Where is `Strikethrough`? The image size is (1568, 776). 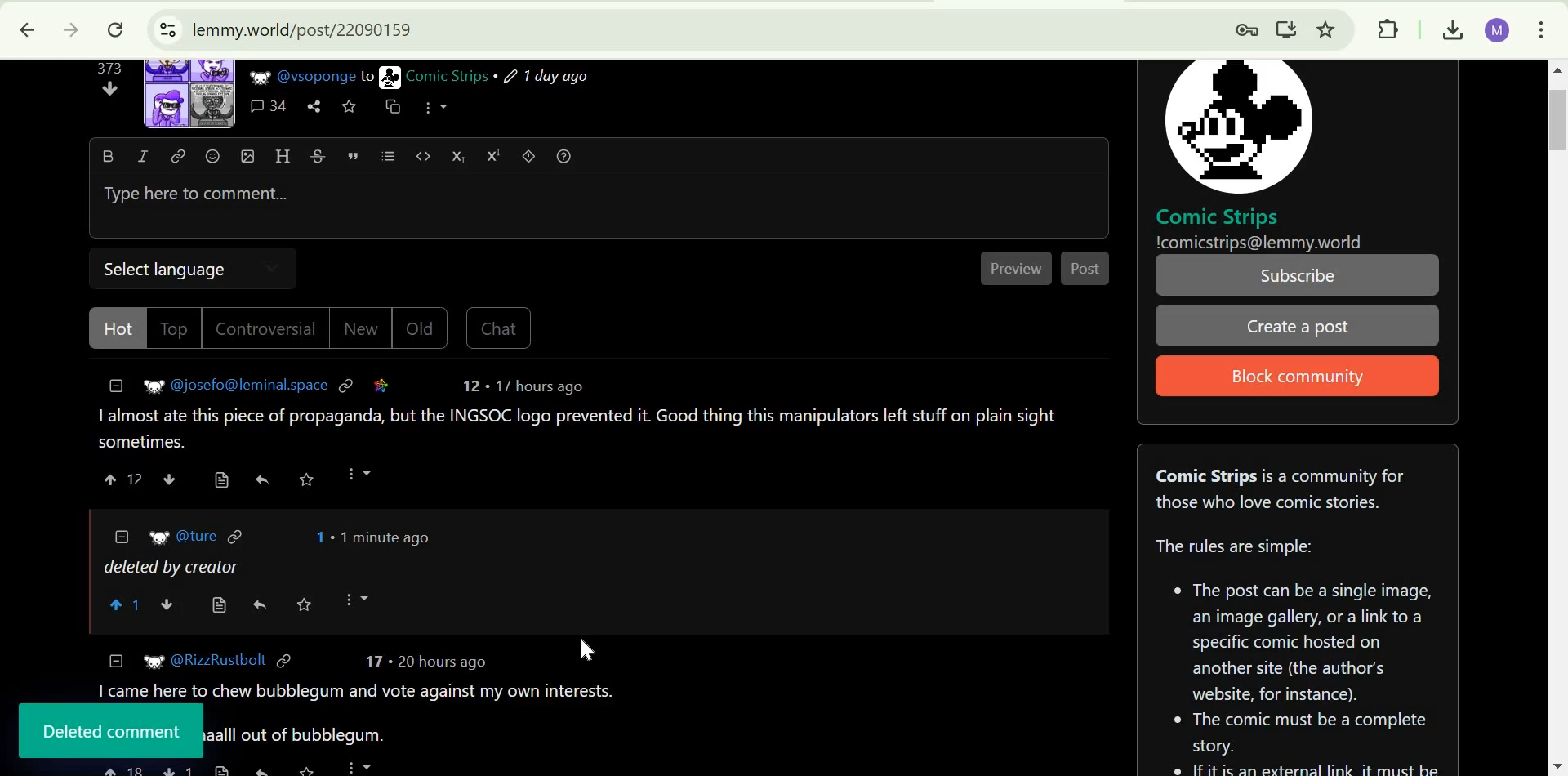 Strikethrough is located at coordinates (318, 155).